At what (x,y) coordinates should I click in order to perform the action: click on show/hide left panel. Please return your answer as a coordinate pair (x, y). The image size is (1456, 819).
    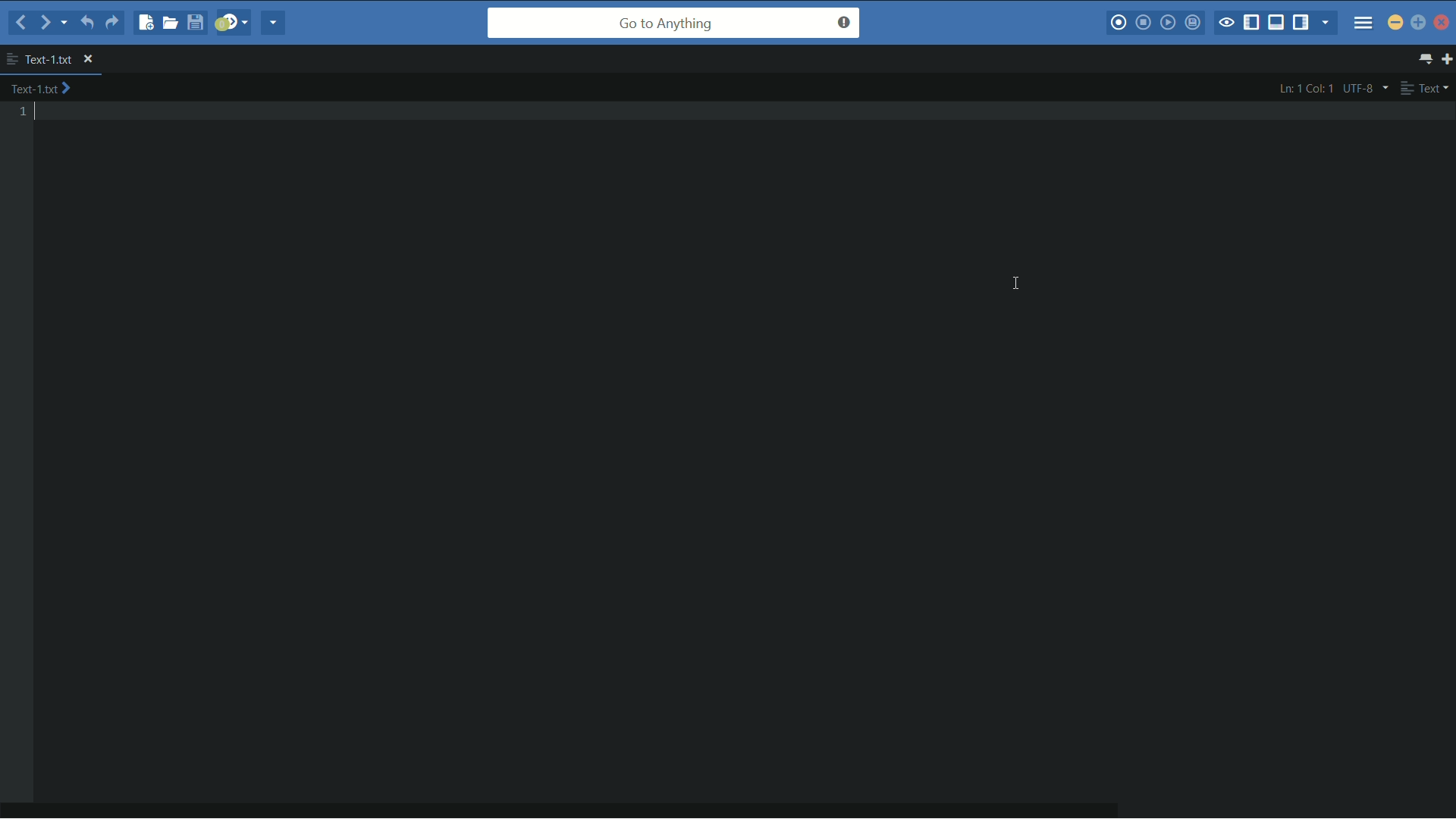
    Looking at the image, I should click on (1250, 24).